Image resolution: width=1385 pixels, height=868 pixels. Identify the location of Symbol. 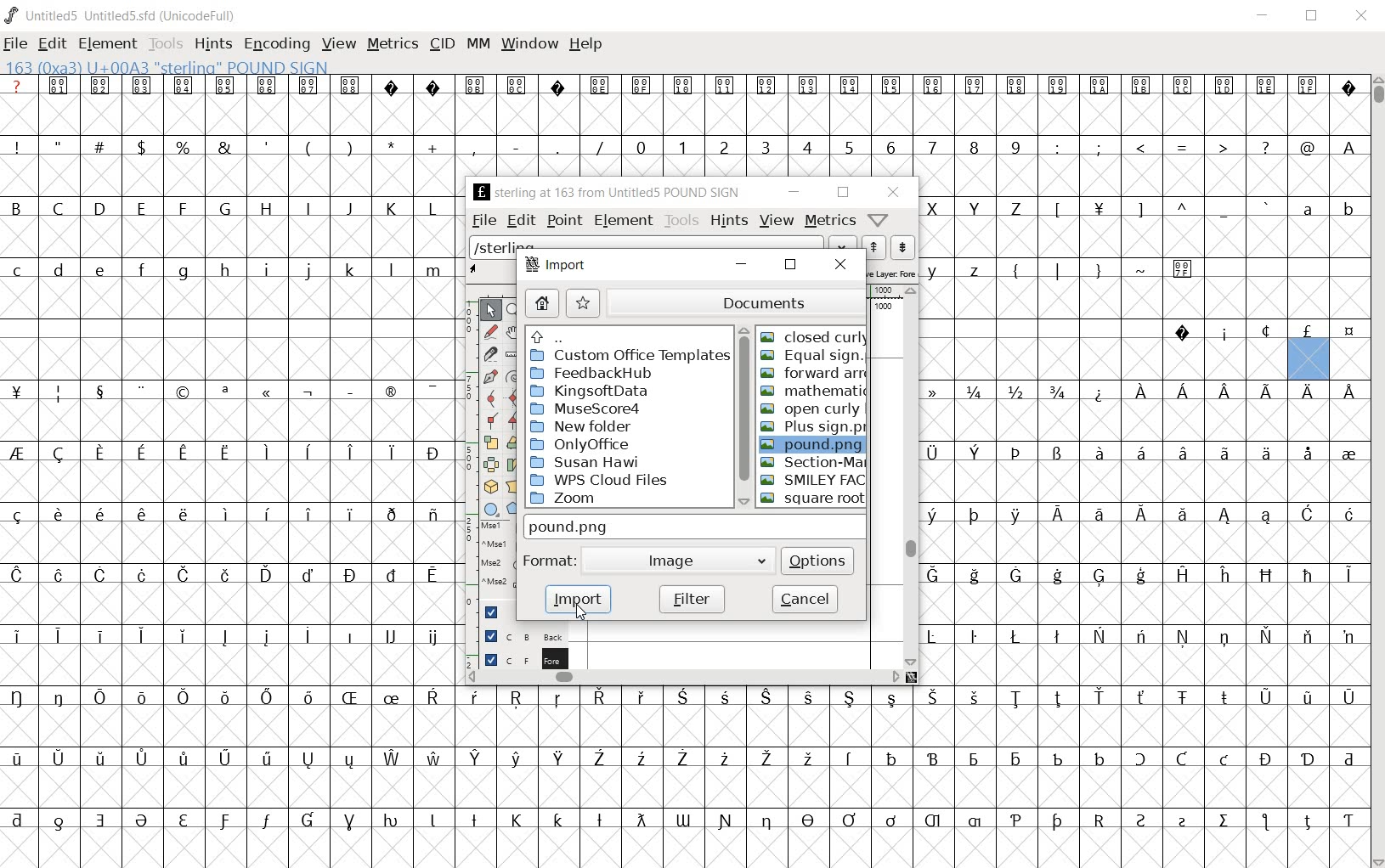
(1183, 87).